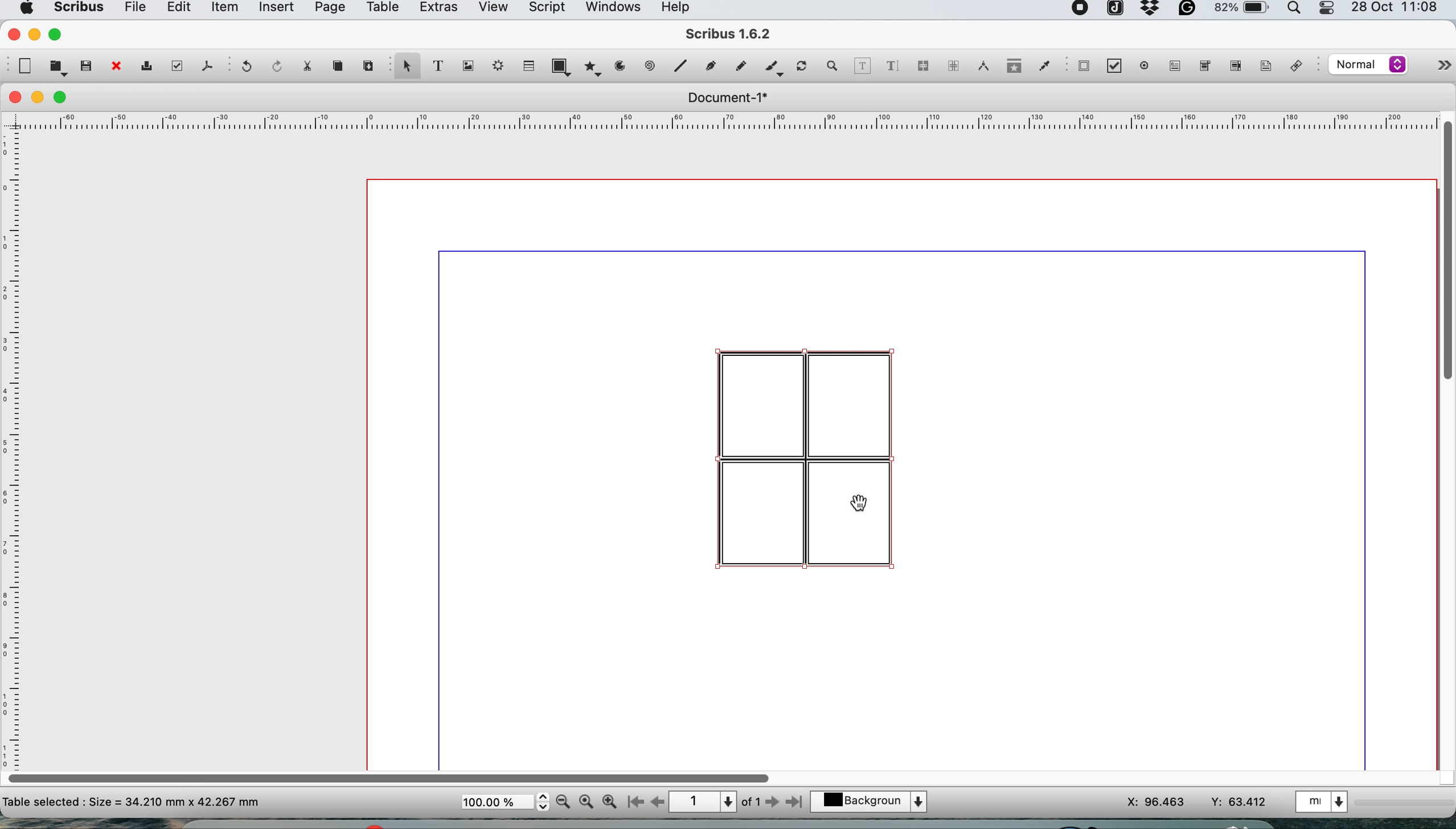  Describe the element at coordinates (1446, 248) in the screenshot. I see `vertical scroll bar` at that location.